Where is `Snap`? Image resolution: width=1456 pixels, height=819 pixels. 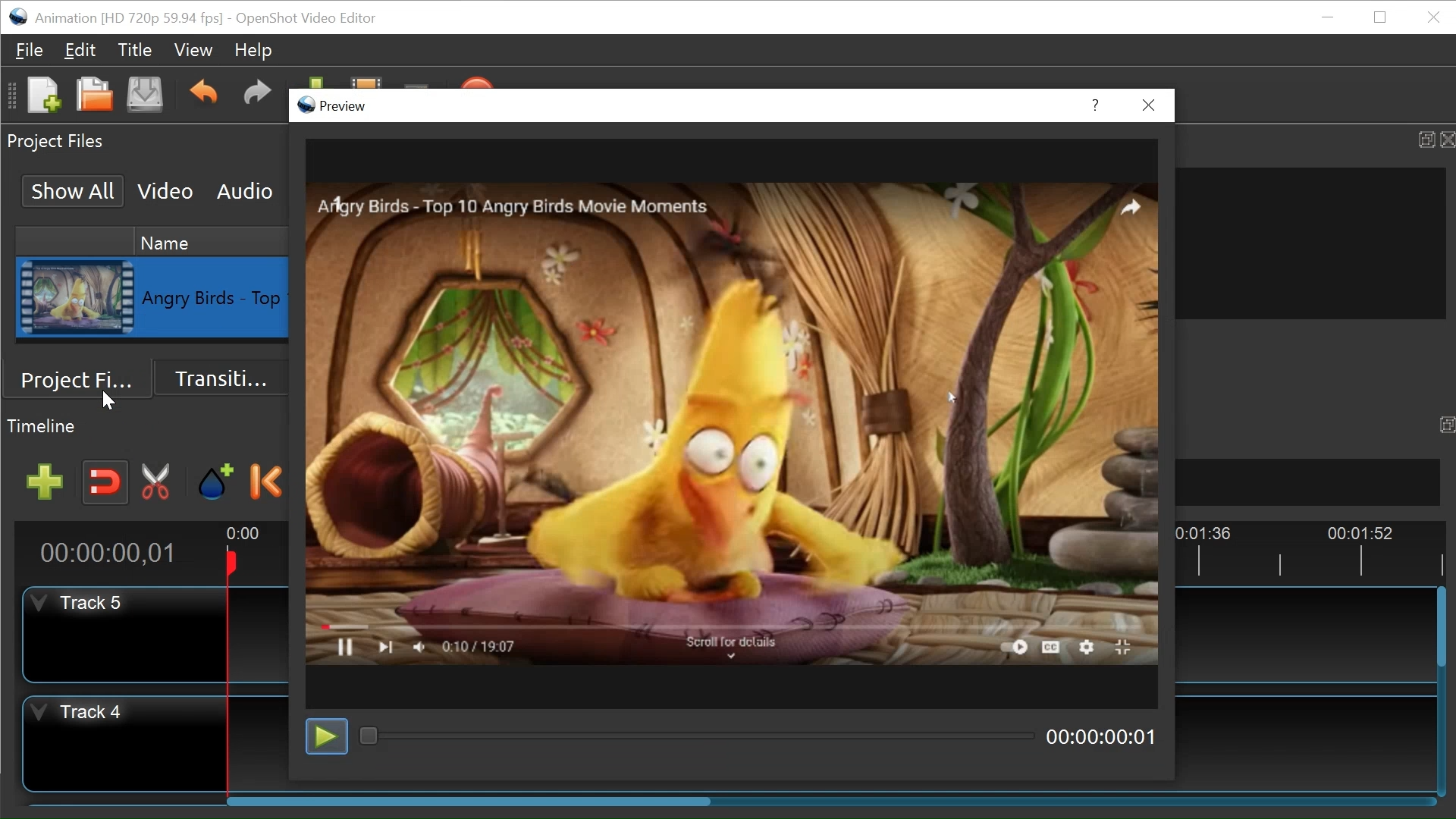
Snap is located at coordinates (105, 483).